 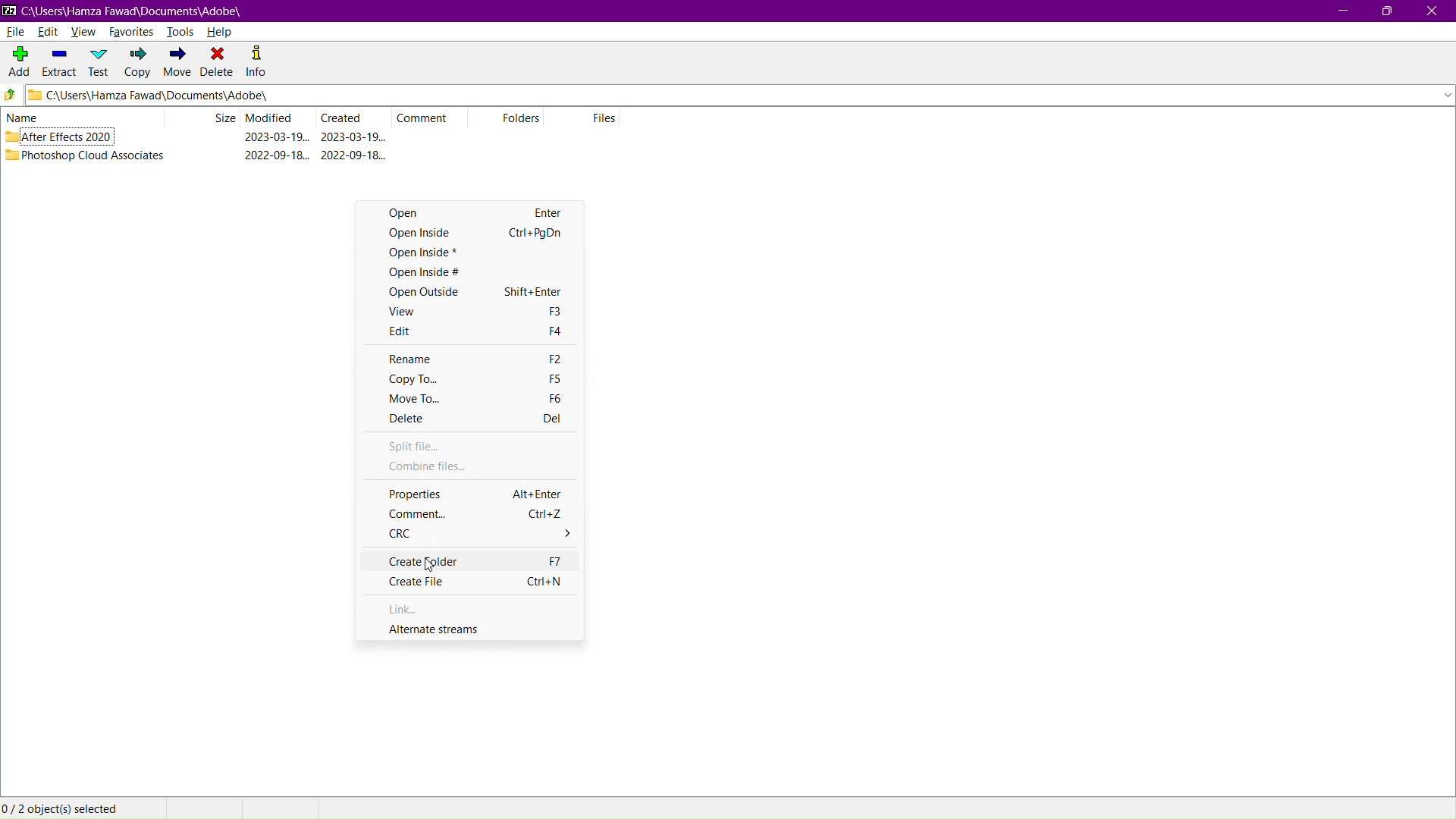 I want to click on Window Name, so click(x=123, y=11).